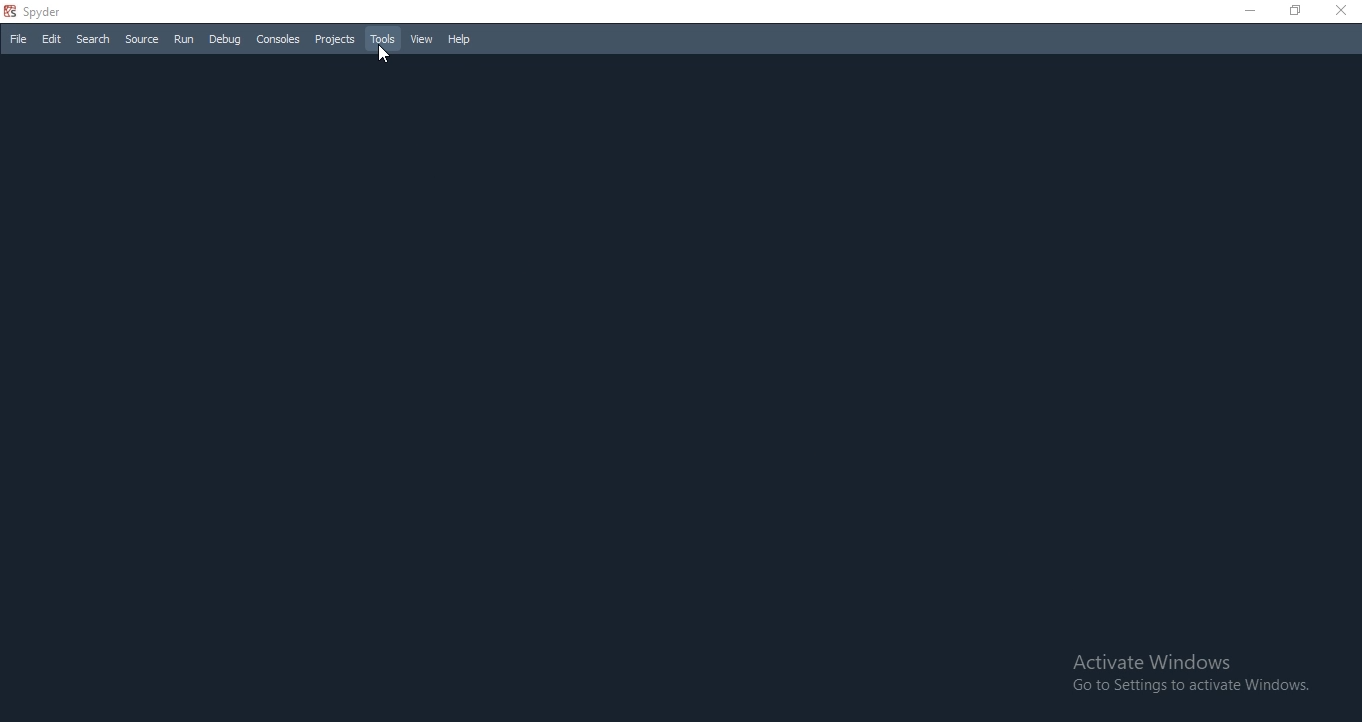 The height and width of the screenshot is (722, 1362). I want to click on Source, so click(141, 39).